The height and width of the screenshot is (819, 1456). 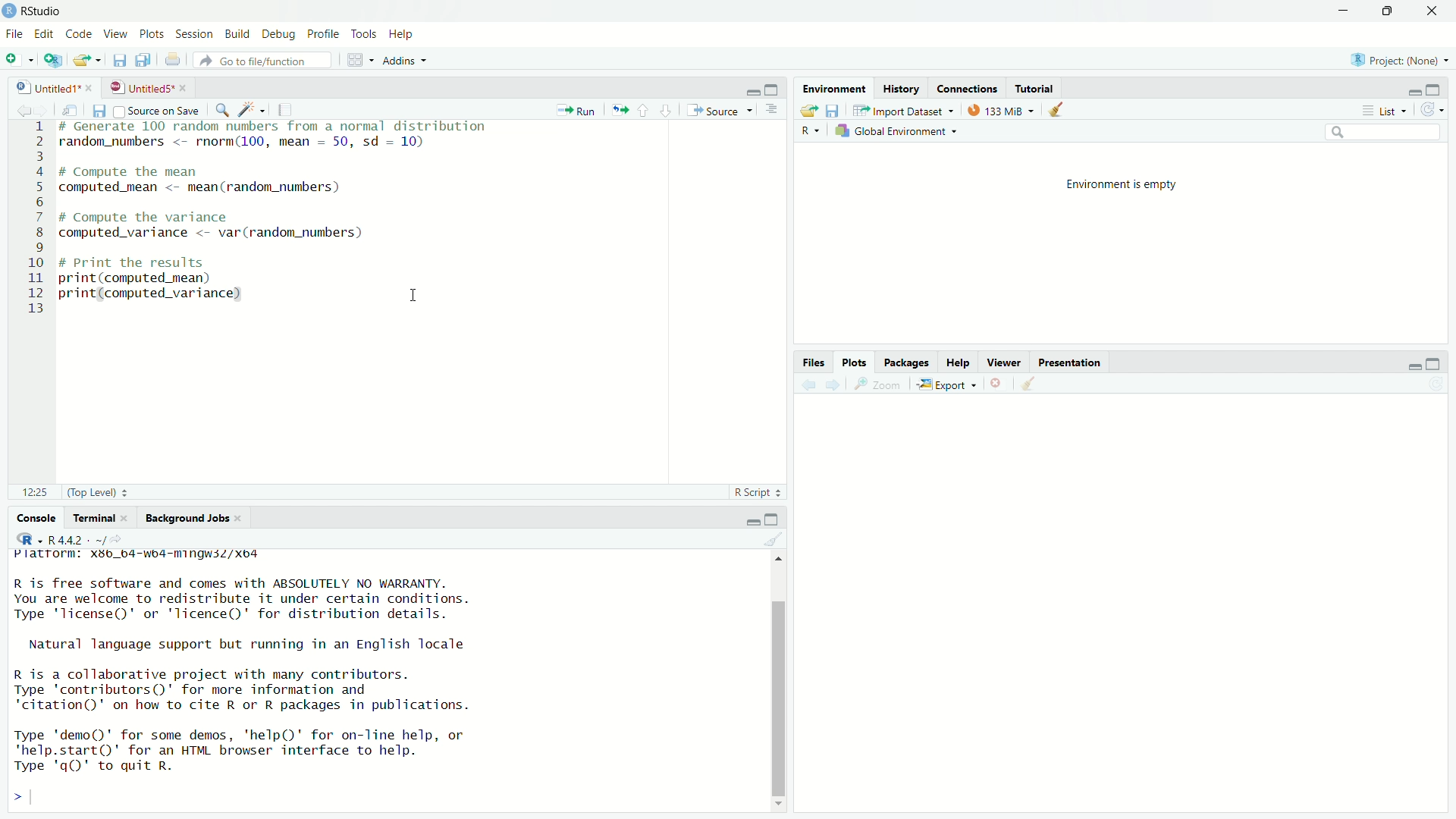 I want to click on R 4.4.2 . ~/, so click(x=77, y=539).